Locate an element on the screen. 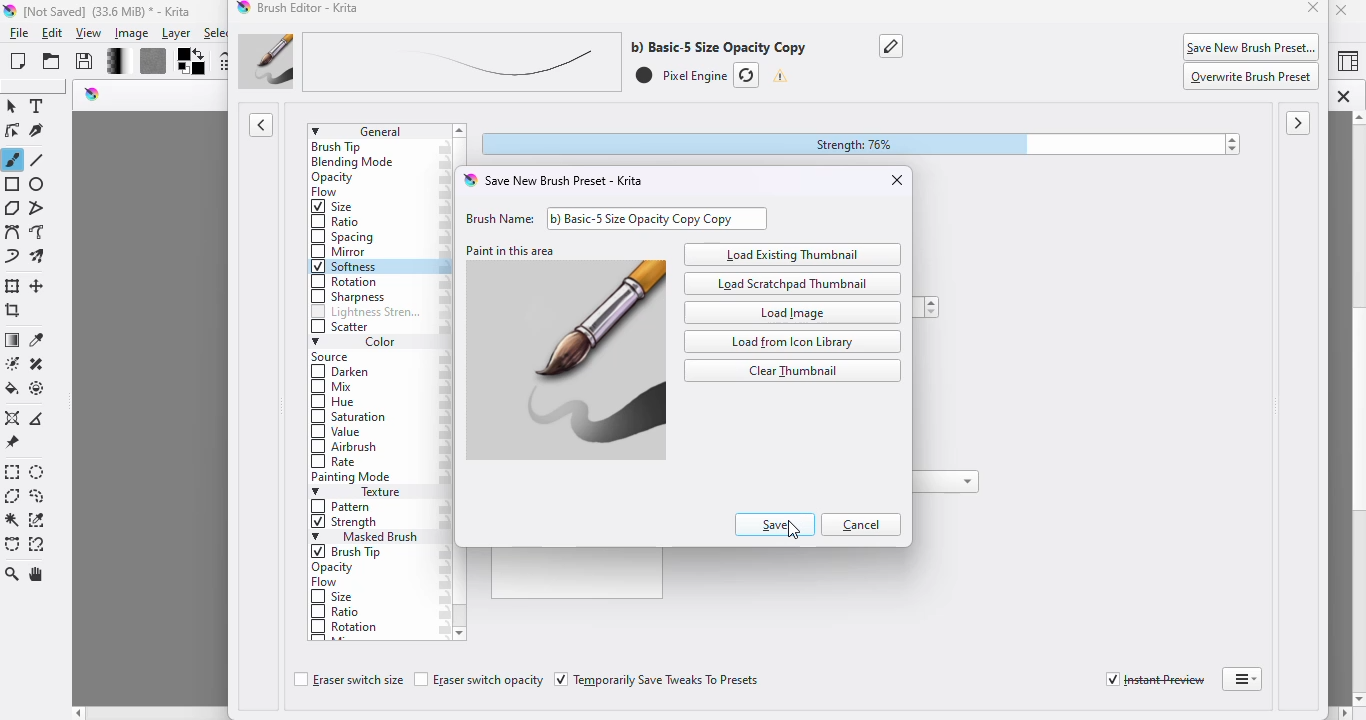  rectangle tool is located at coordinates (12, 184).